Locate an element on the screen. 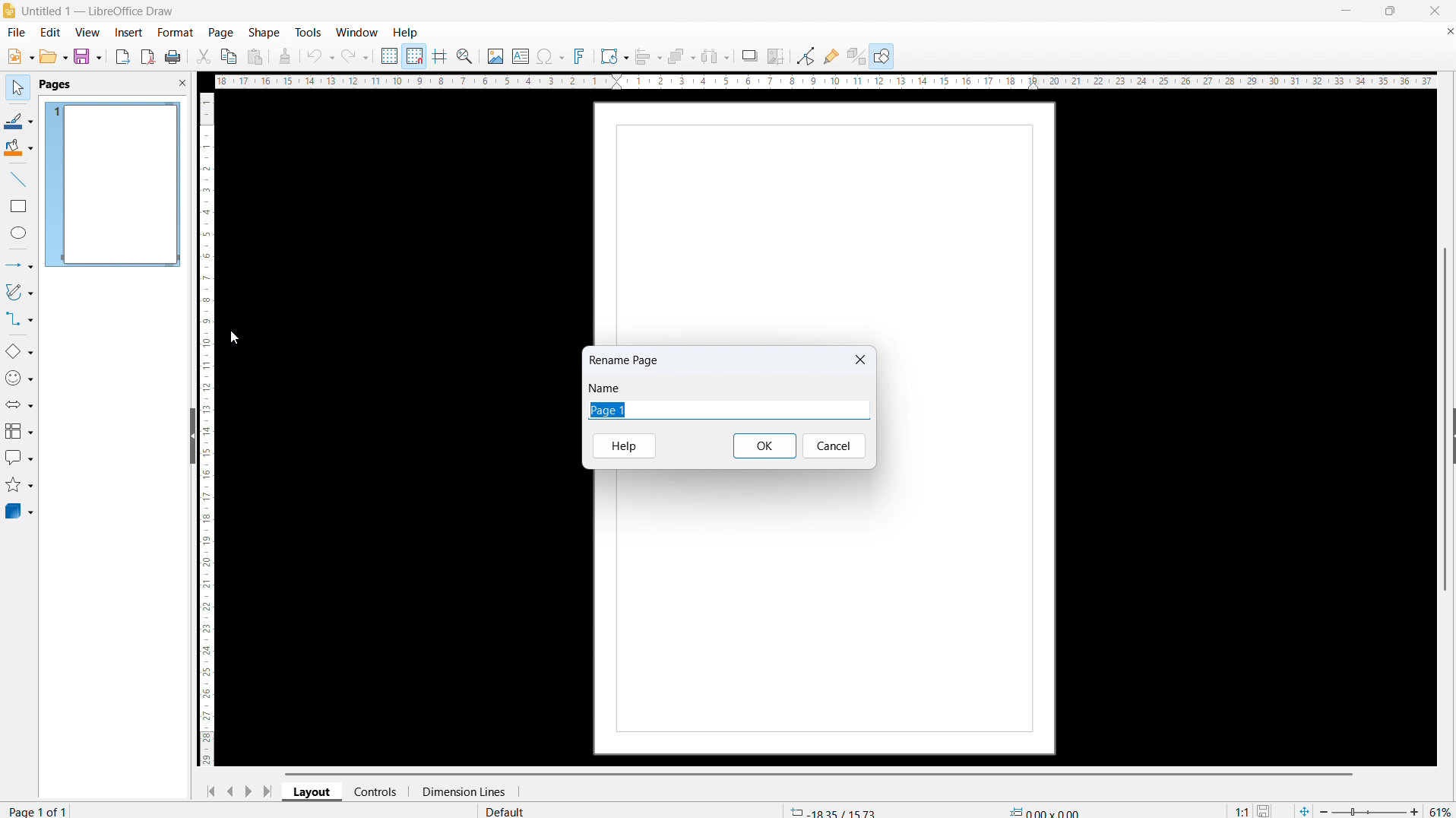 The image size is (1456, 818). page number is located at coordinates (41, 810).